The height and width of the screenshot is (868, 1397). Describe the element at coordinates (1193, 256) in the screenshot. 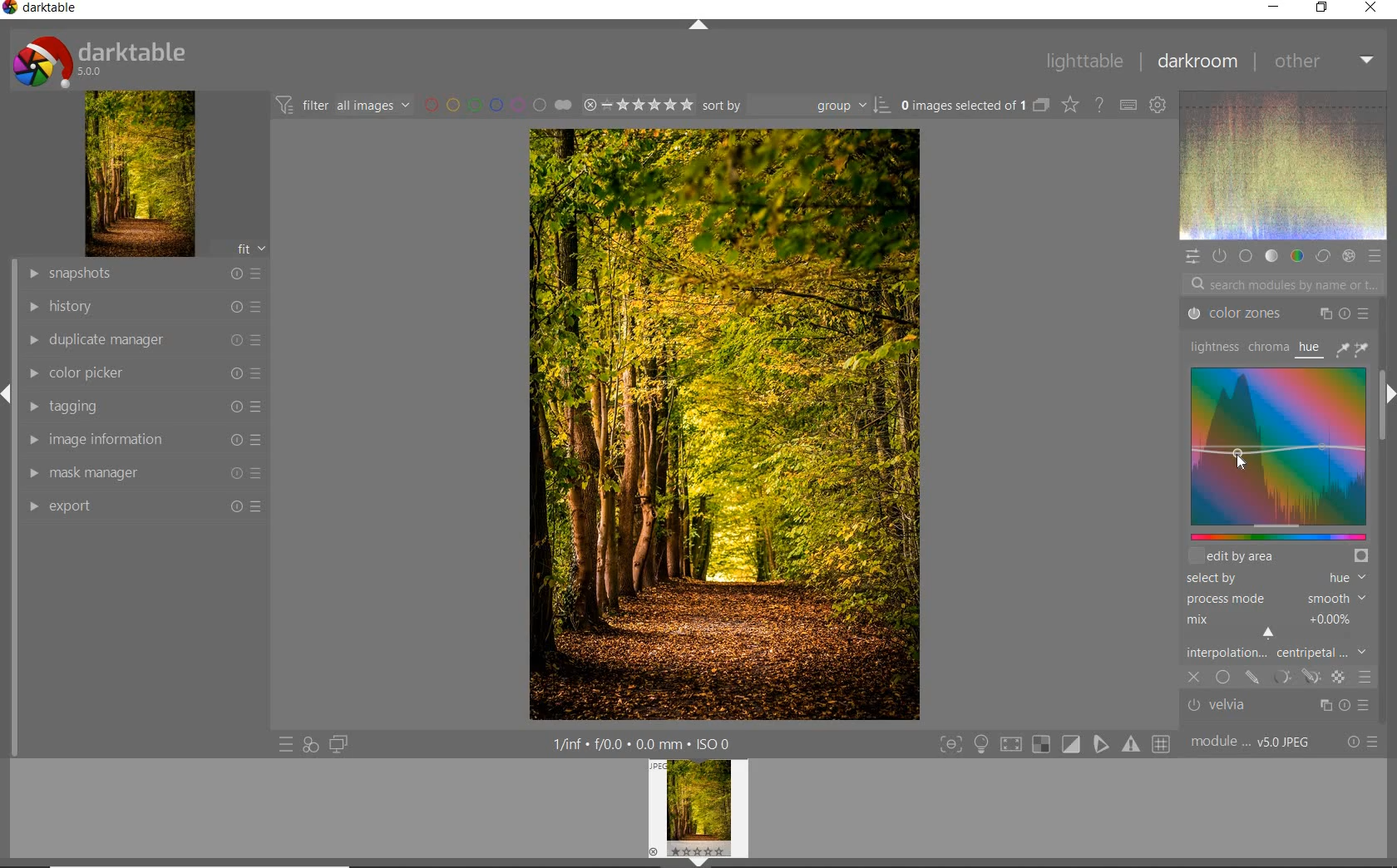

I see `QUICK ACCESS PANEL` at that location.